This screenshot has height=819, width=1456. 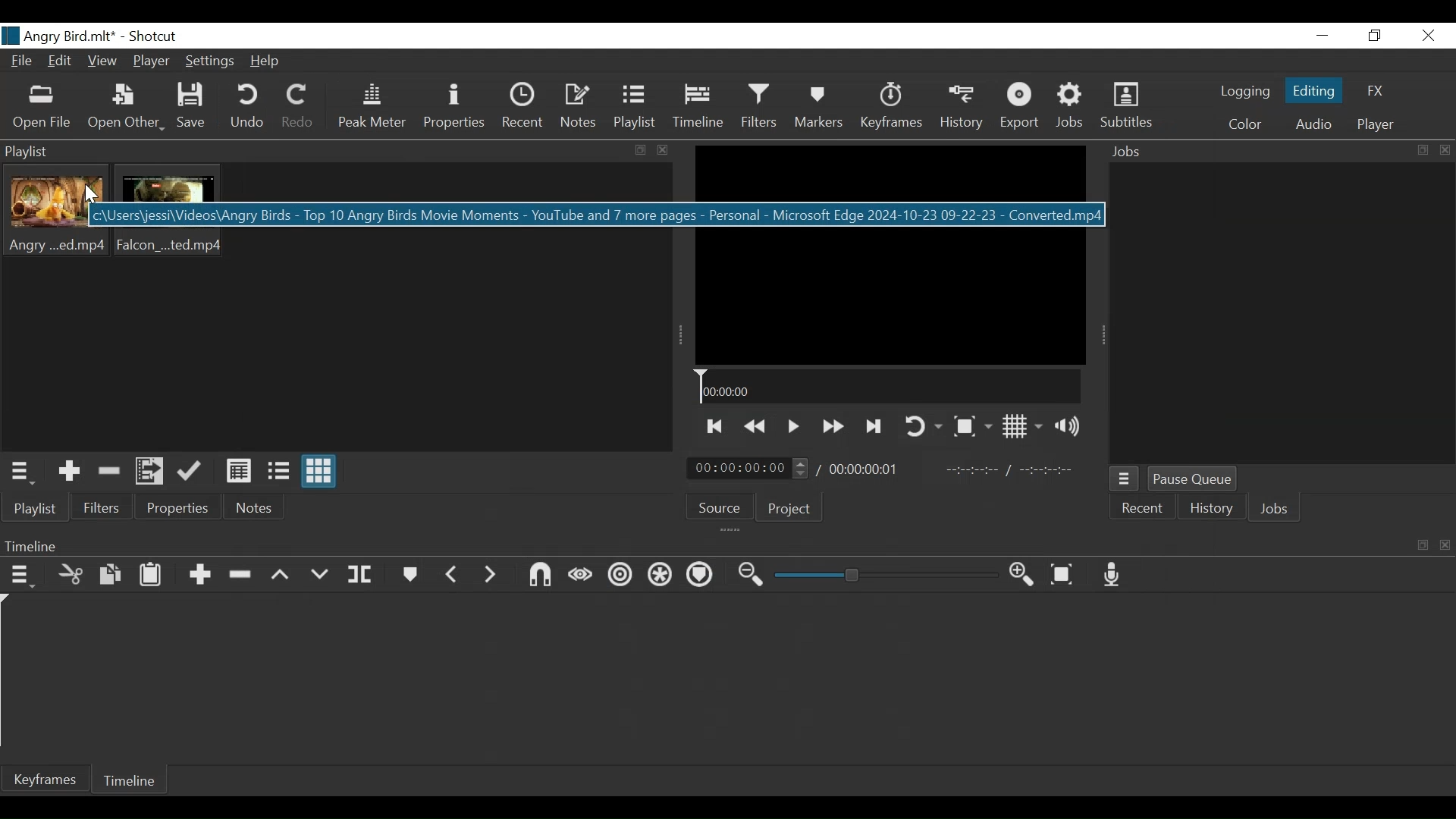 I want to click on View as icons, so click(x=319, y=470).